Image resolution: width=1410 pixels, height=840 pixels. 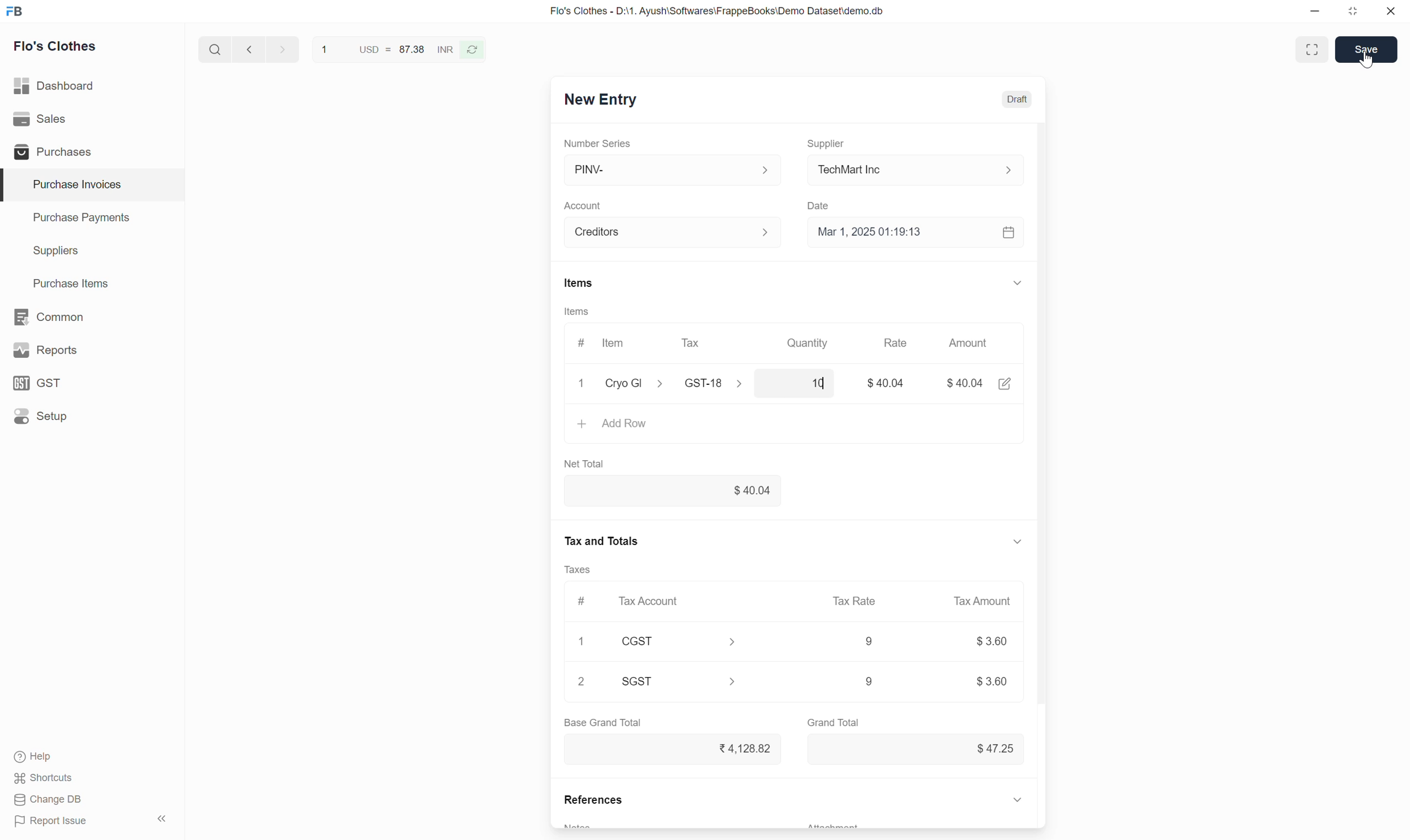 I want to click on Quantity, so click(x=815, y=343).